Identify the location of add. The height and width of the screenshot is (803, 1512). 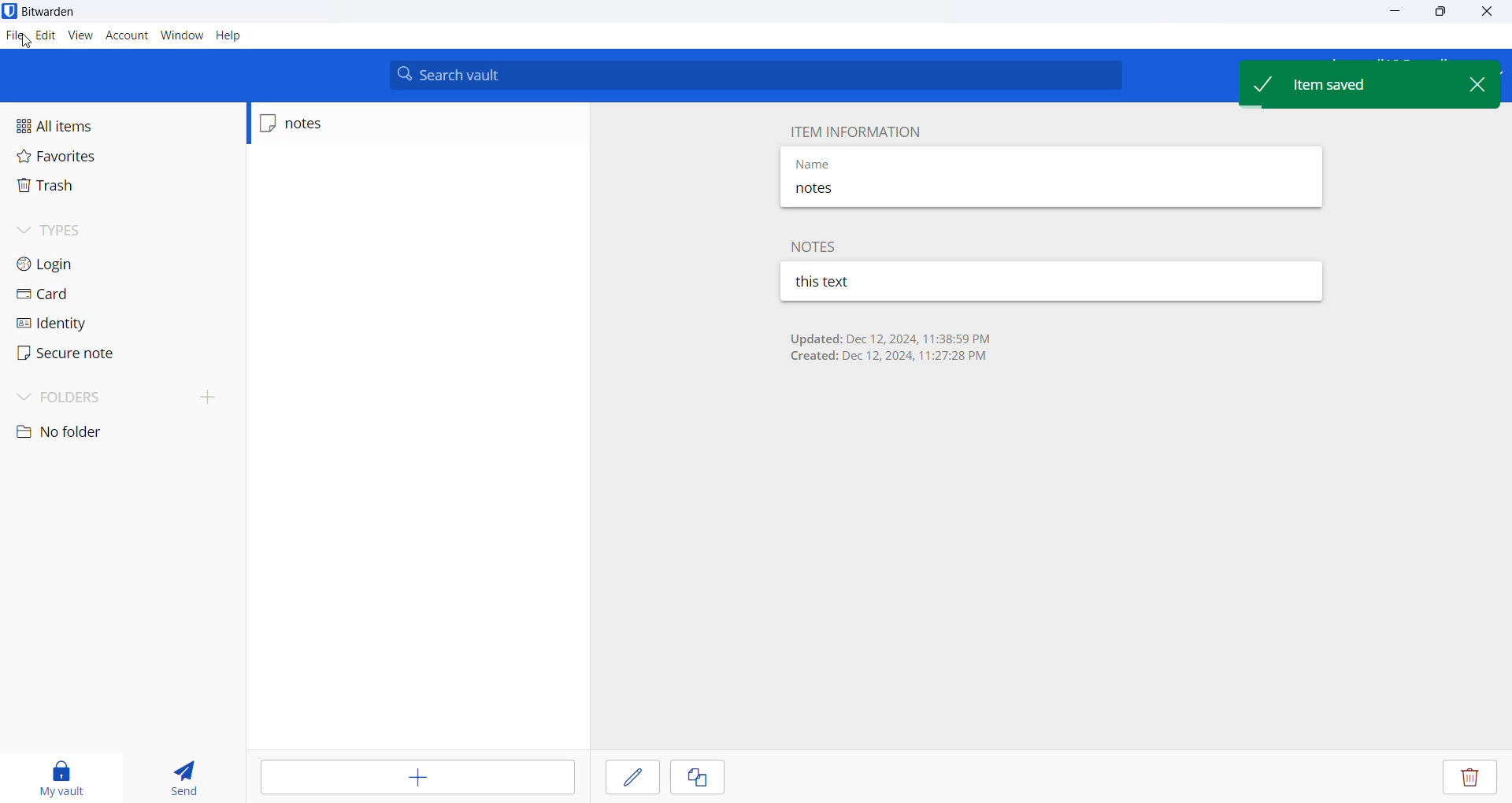
(420, 778).